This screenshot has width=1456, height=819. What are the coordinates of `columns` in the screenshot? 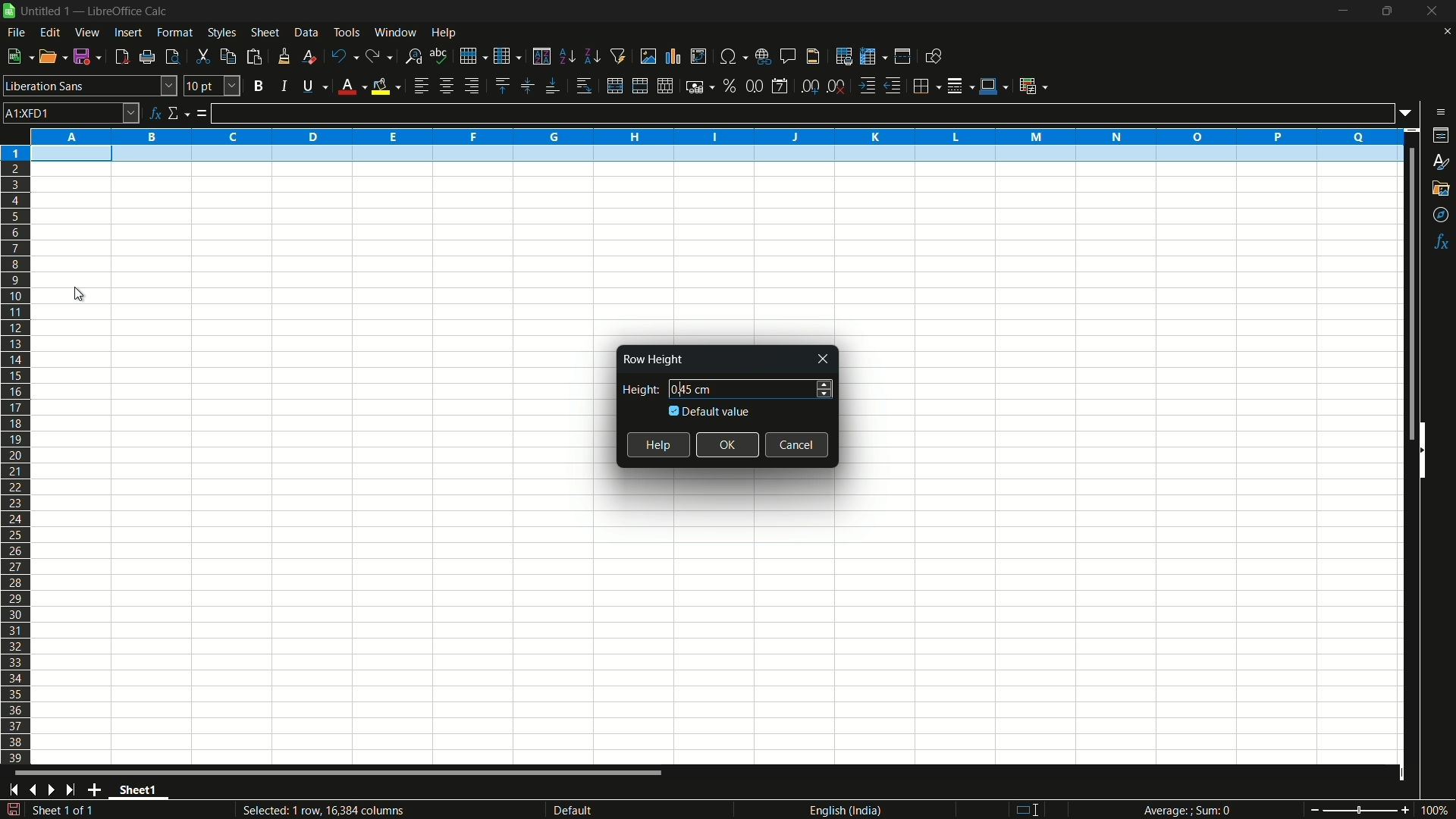 It's located at (716, 135).